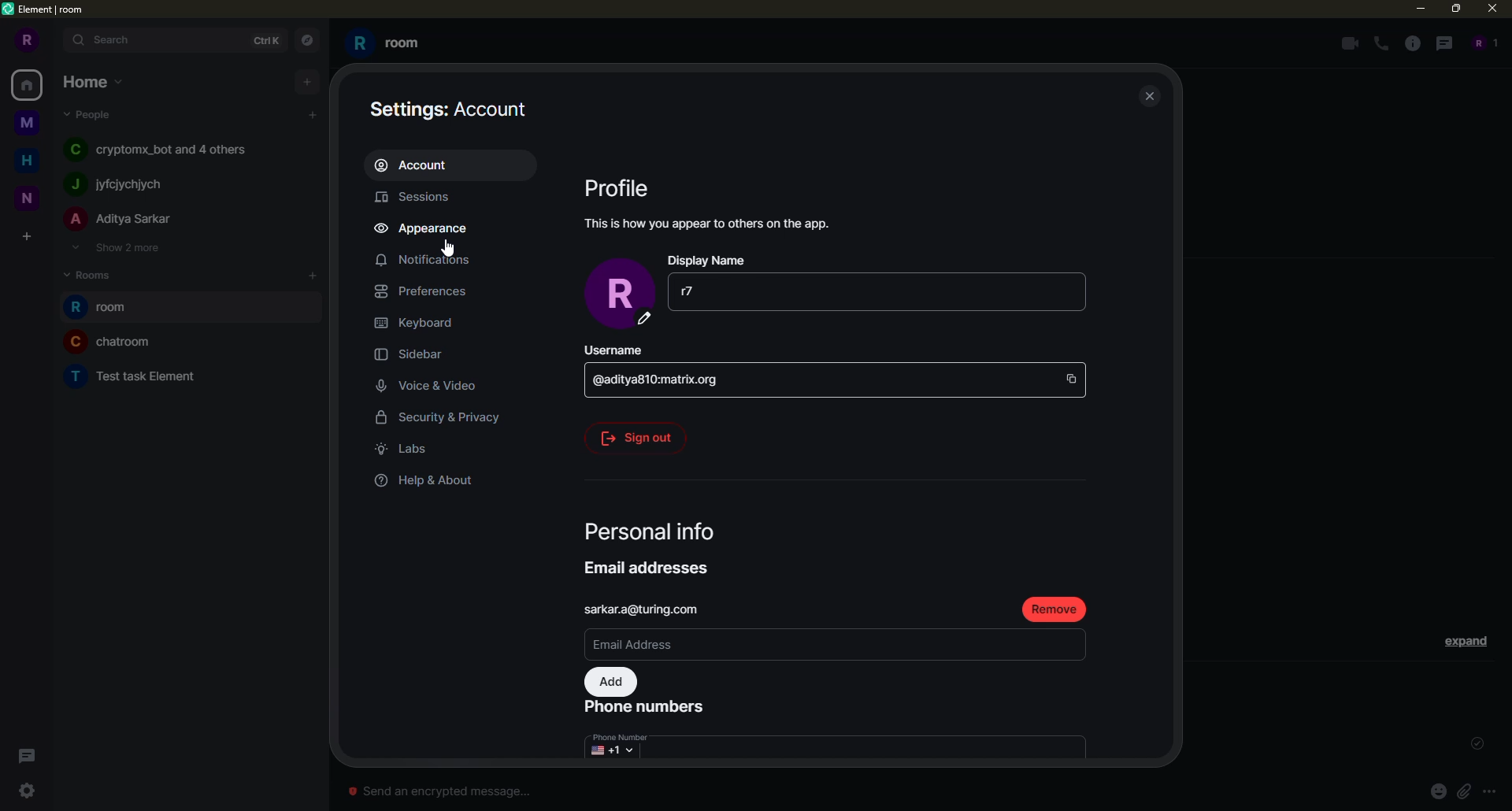 The image size is (1512, 811). Describe the element at coordinates (163, 148) in the screenshot. I see `people` at that location.